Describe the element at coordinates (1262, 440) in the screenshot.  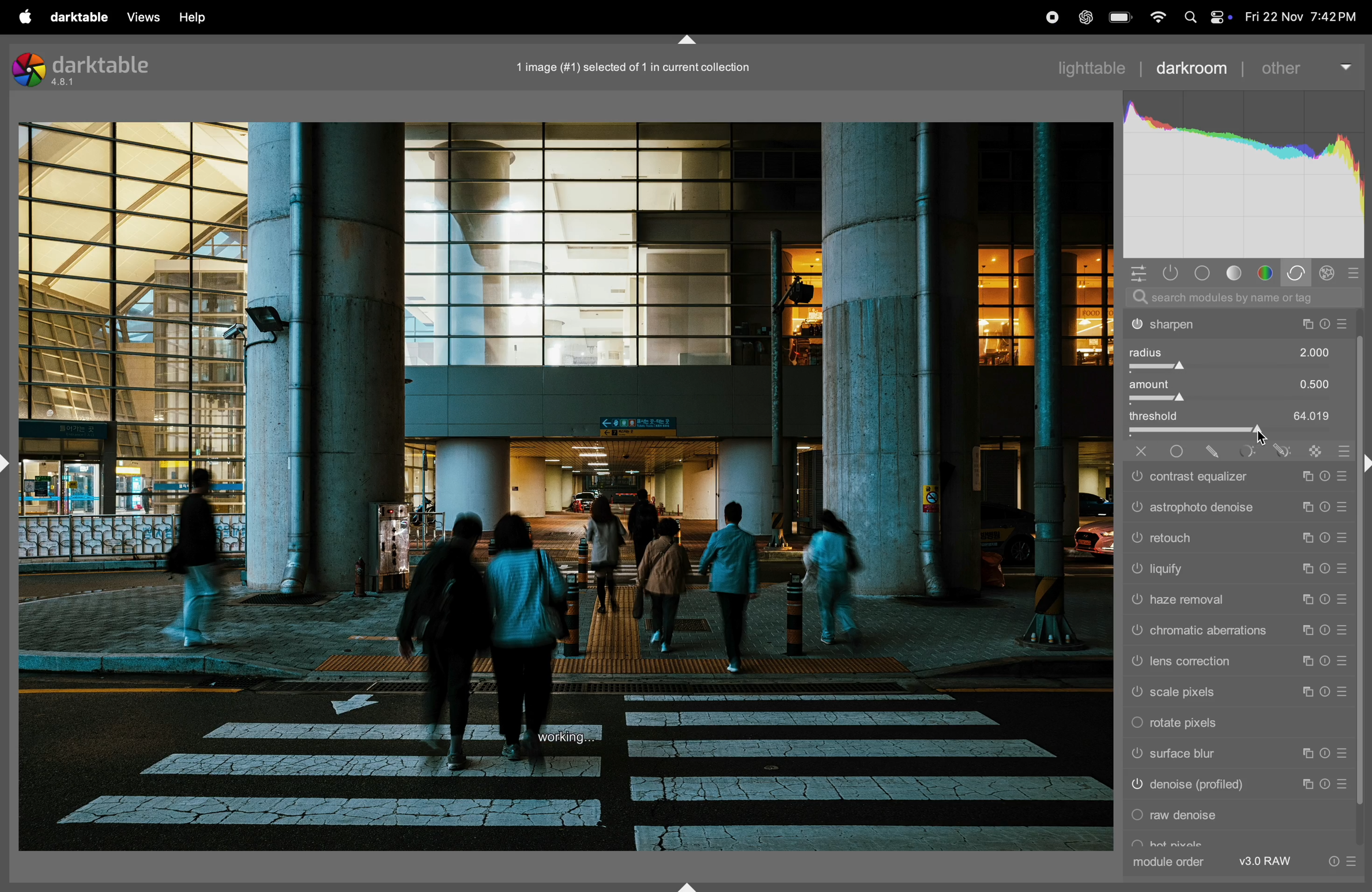
I see `cursor` at that location.